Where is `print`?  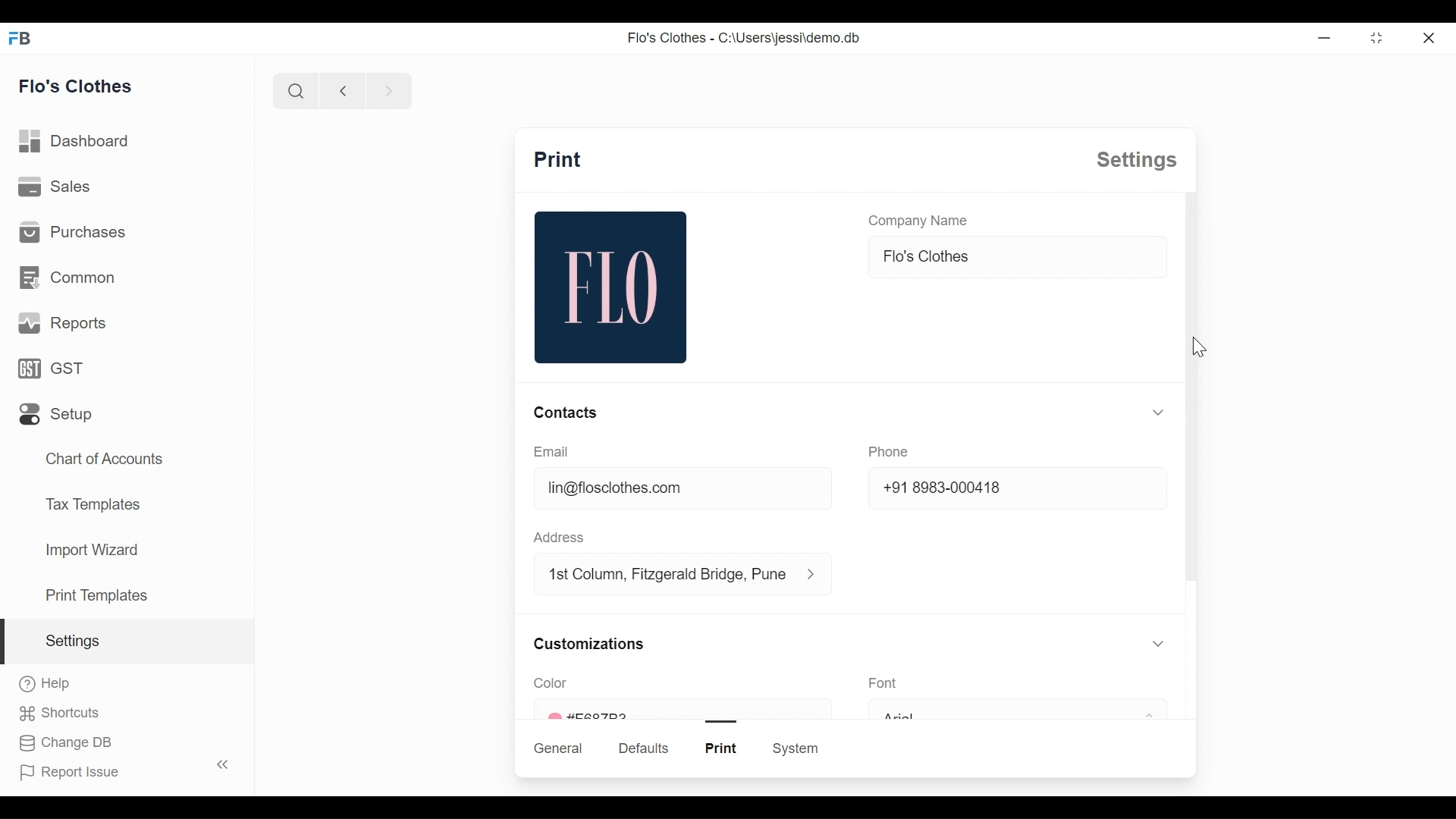
print is located at coordinates (557, 160).